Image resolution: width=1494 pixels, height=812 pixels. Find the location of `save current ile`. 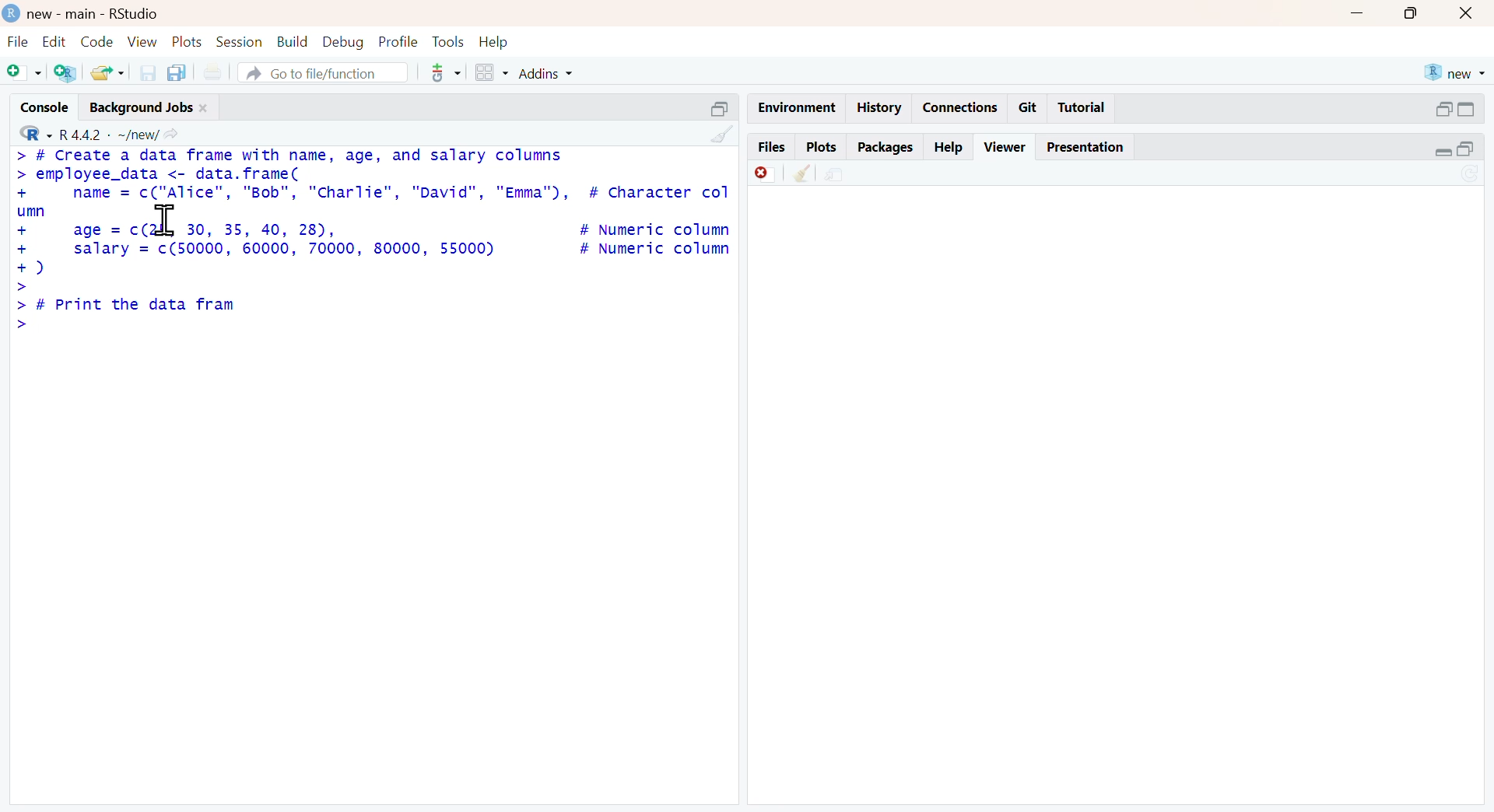

save current ile is located at coordinates (142, 72).